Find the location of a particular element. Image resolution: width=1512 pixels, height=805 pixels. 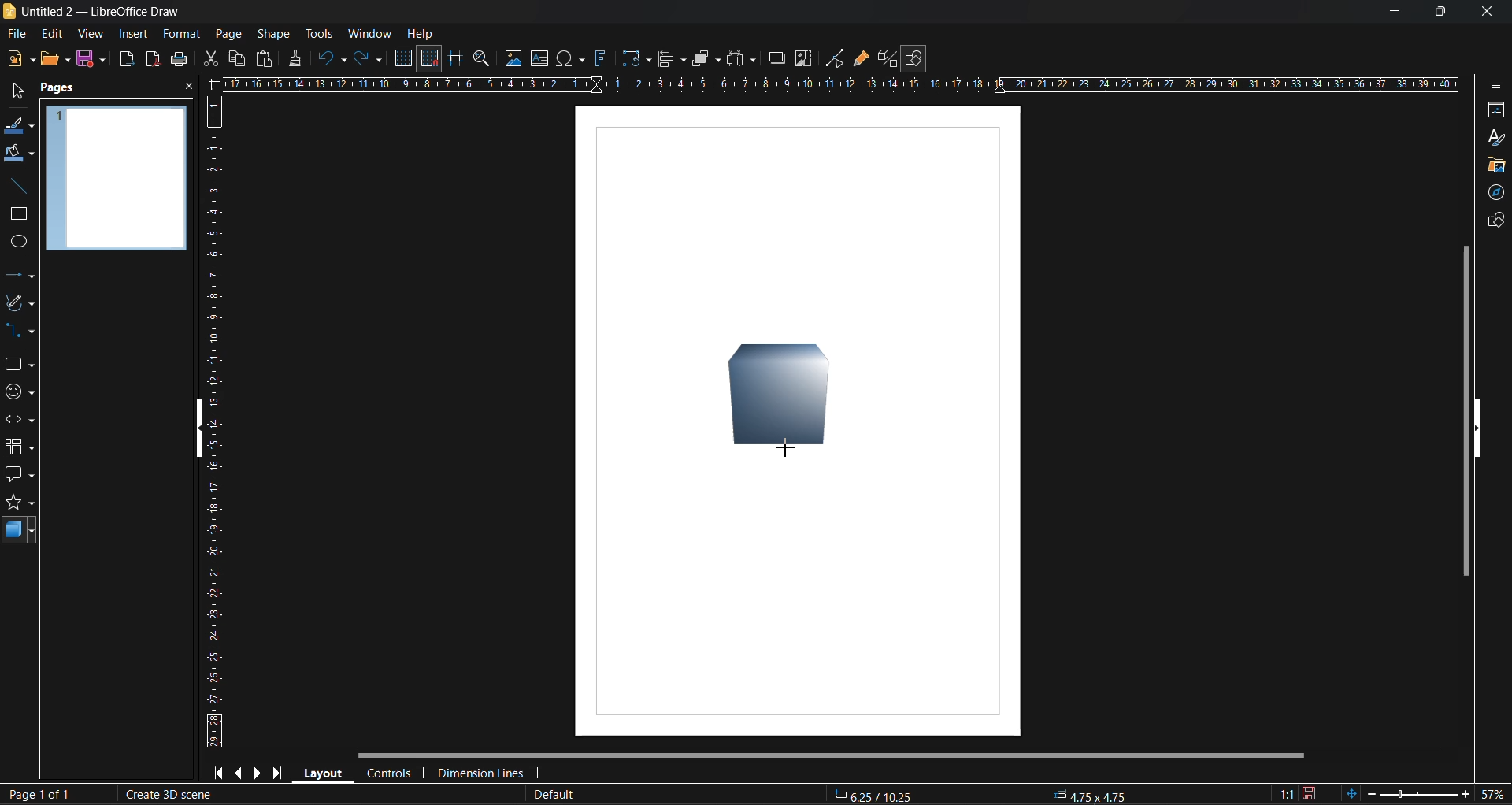

zoom out is located at coordinates (1371, 792).